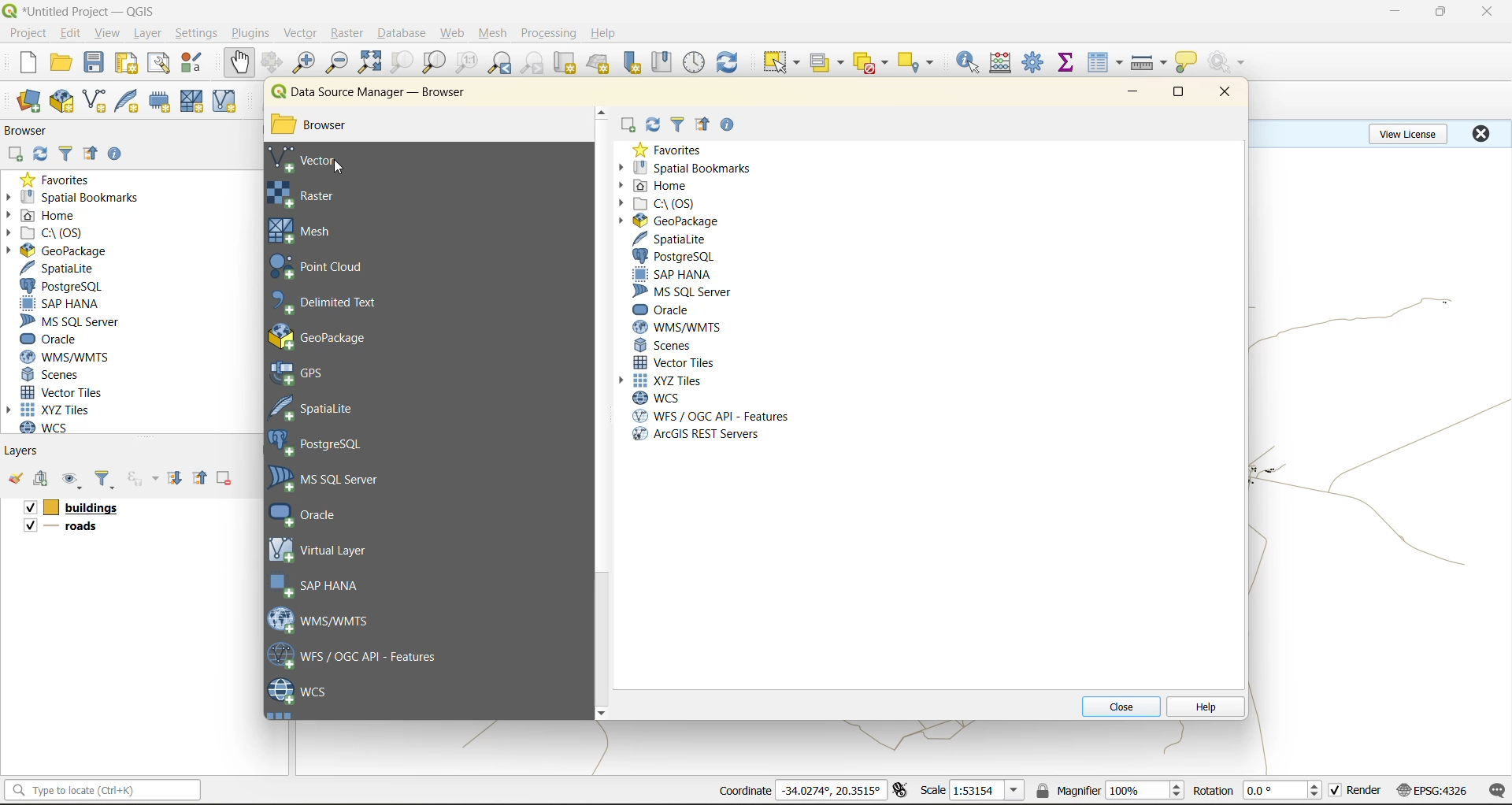  I want to click on view, so click(108, 35).